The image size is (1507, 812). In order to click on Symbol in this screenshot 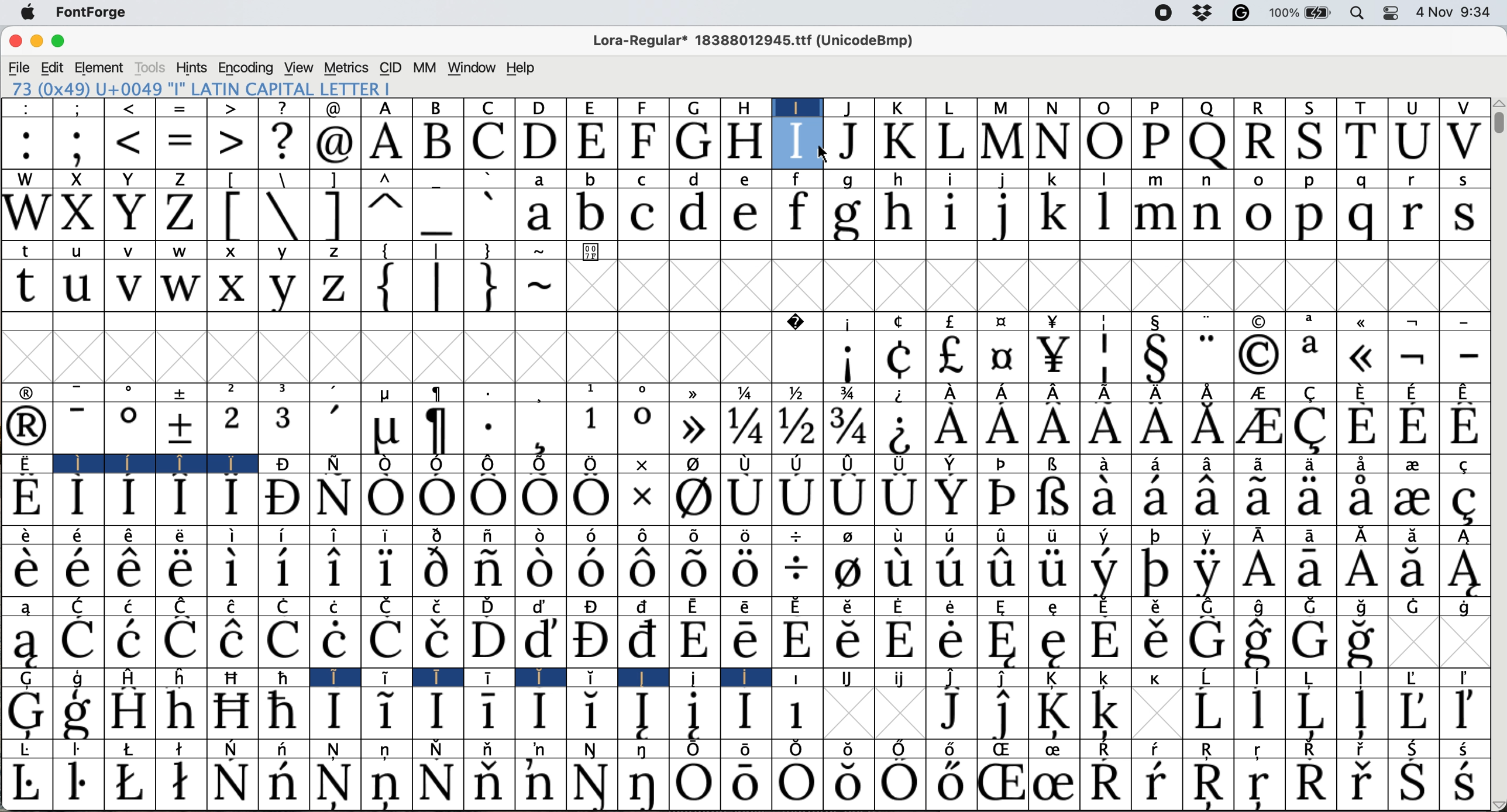, I will do `click(1317, 678)`.